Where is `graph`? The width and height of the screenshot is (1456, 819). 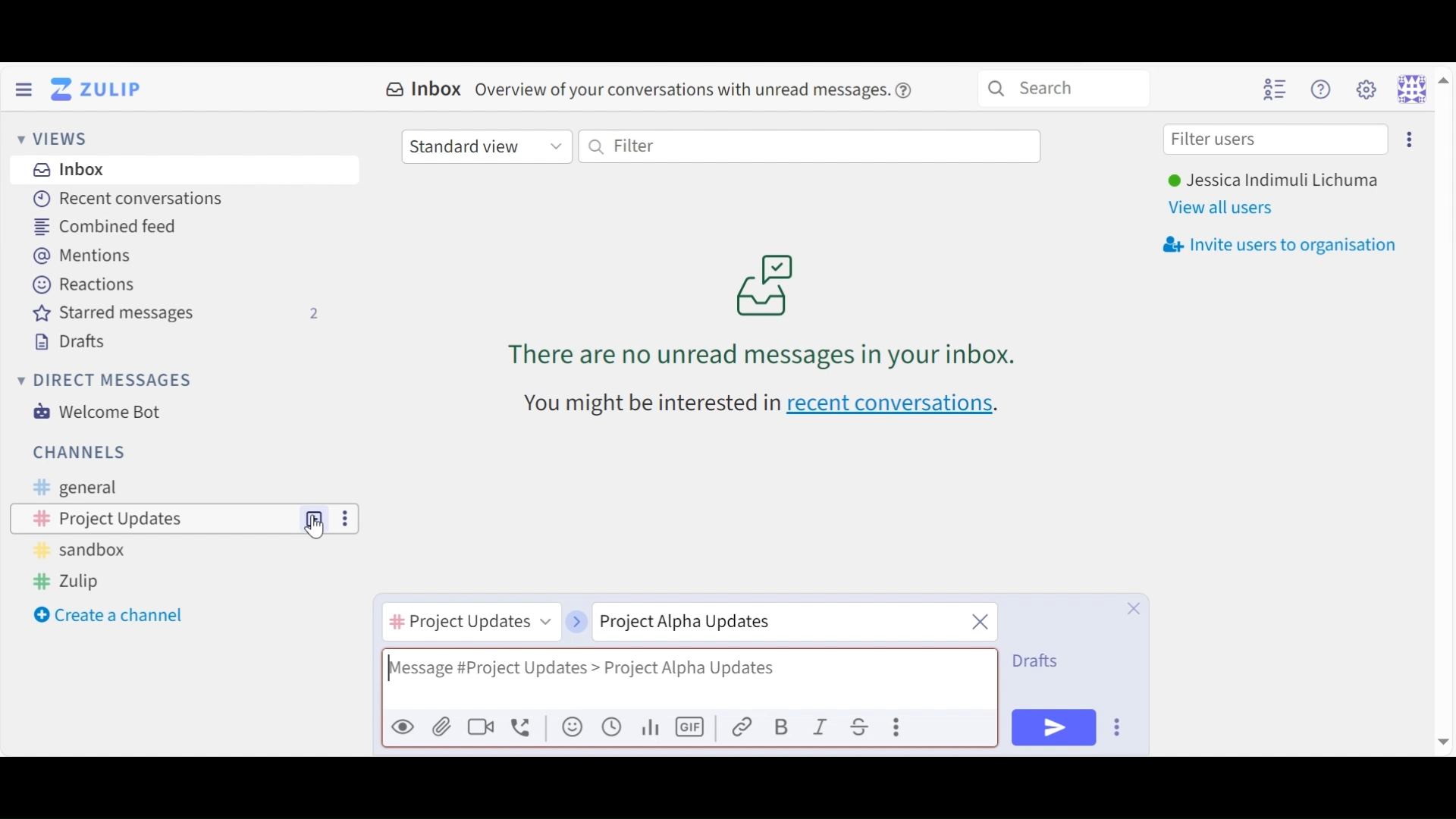
graph is located at coordinates (653, 727).